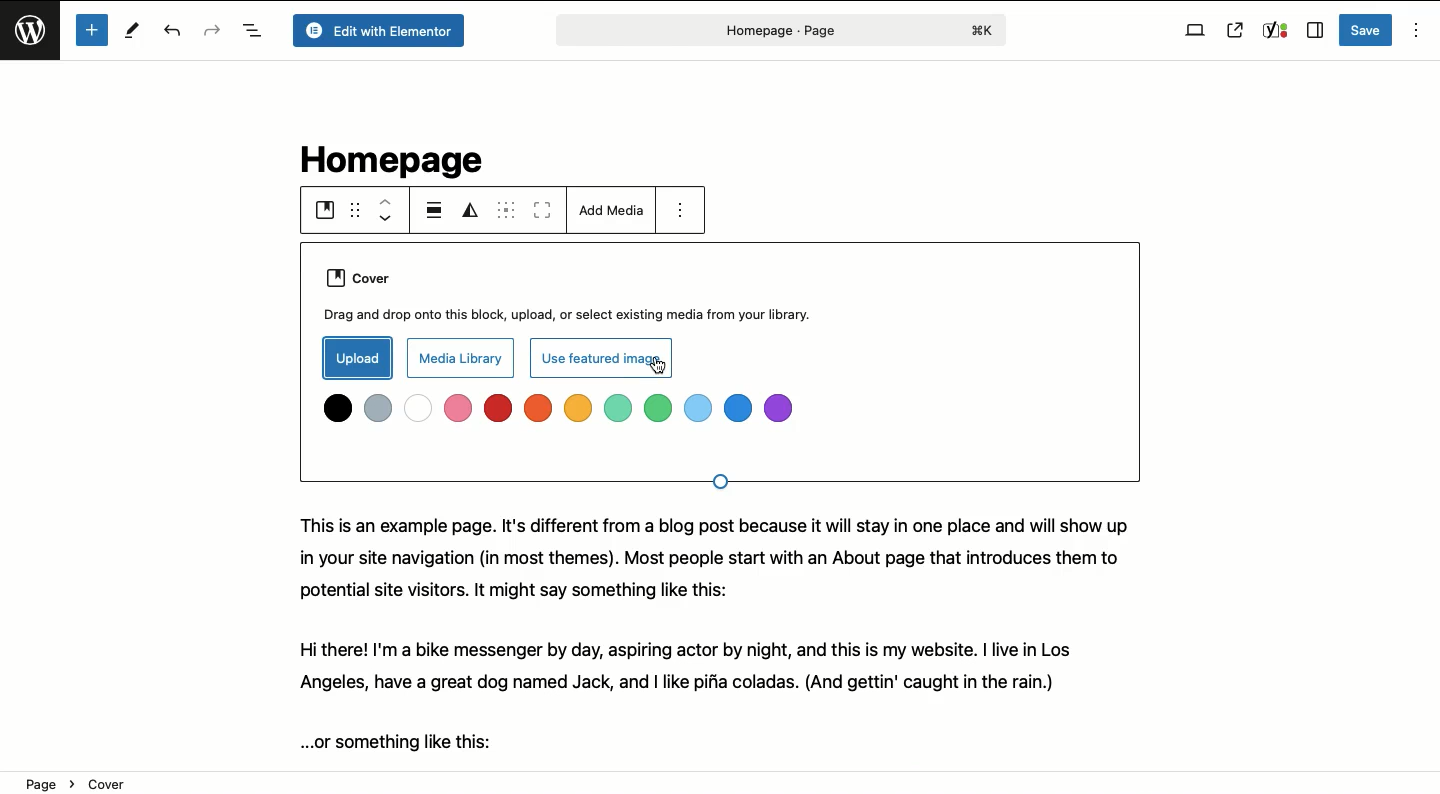  I want to click on Tools, so click(134, 33).